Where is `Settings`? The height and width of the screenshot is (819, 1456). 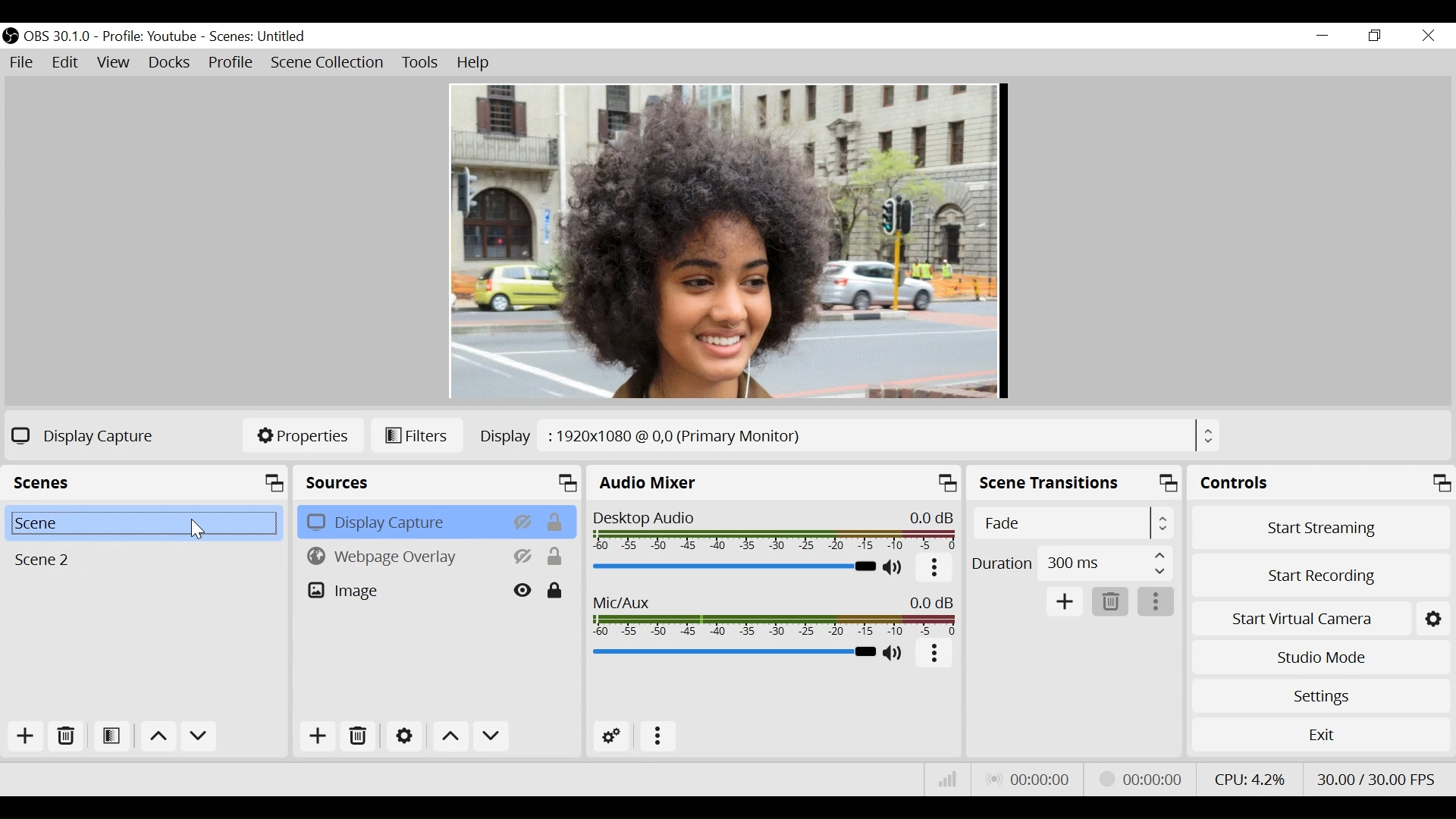
Settings is located at coordinates (403, 735).